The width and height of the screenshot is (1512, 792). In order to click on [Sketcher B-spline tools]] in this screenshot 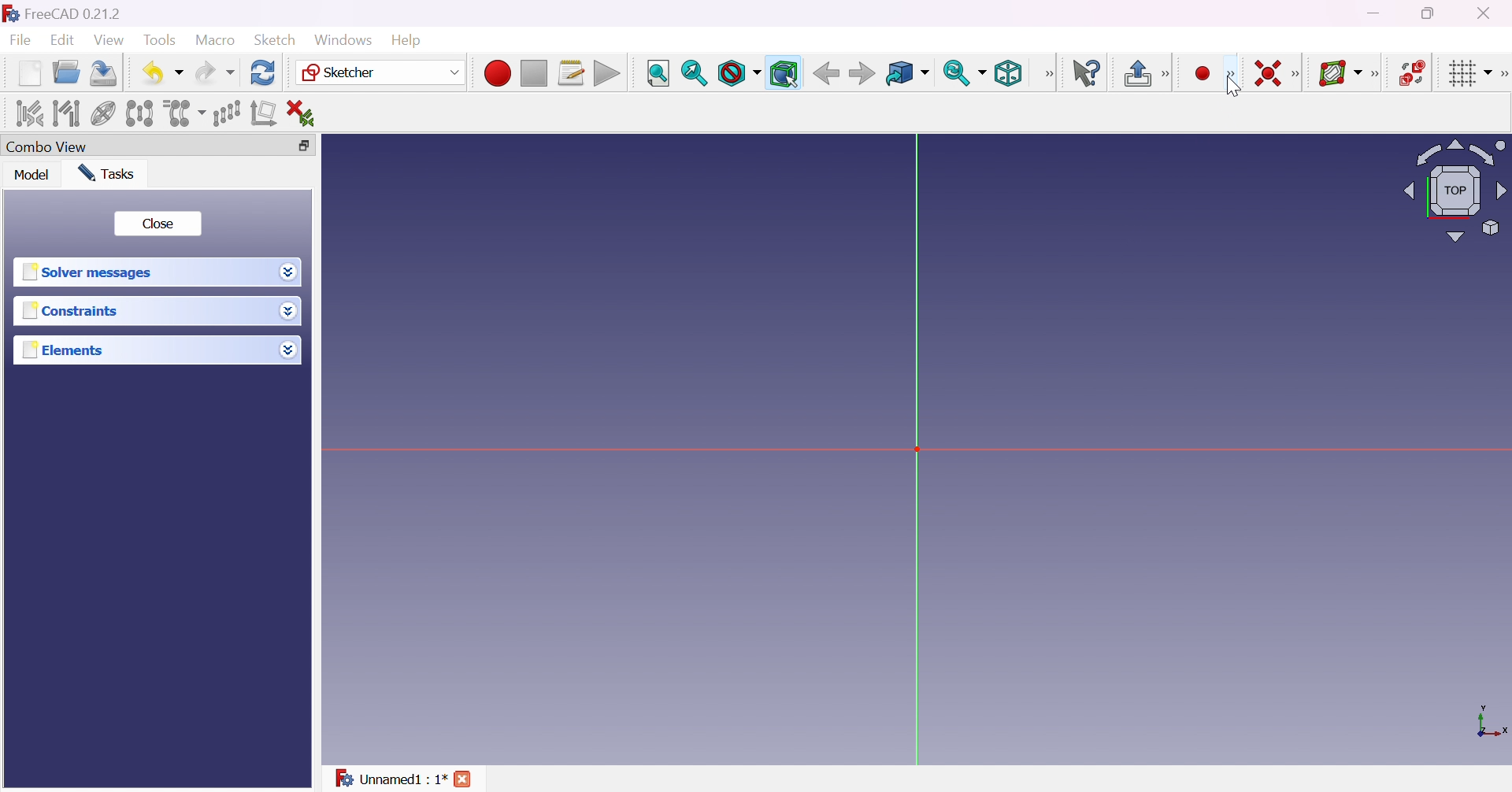, I will do `click(1379, 74)`.